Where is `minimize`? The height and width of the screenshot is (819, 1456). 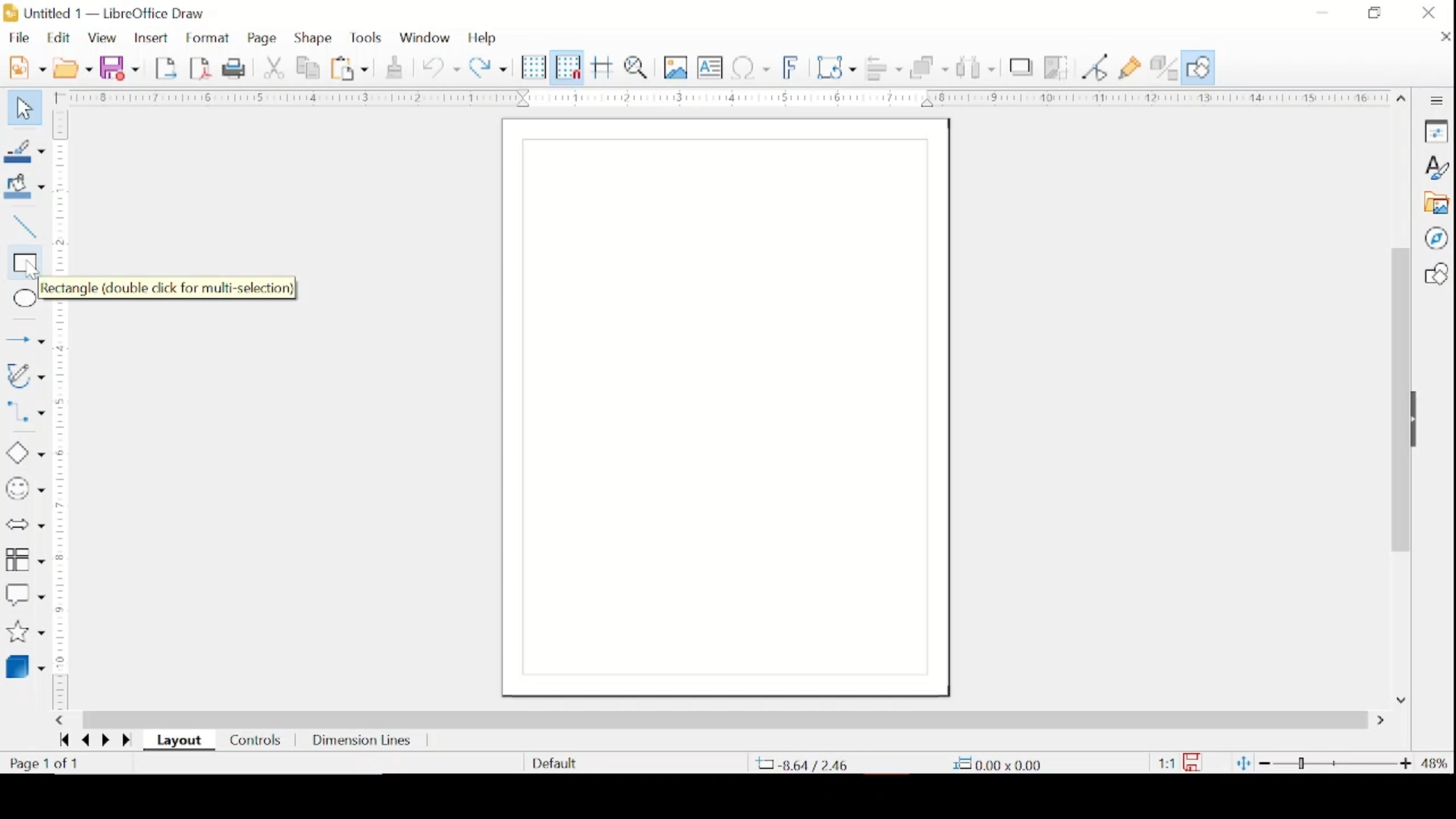 minimize is located at coordinates (1323, 12).